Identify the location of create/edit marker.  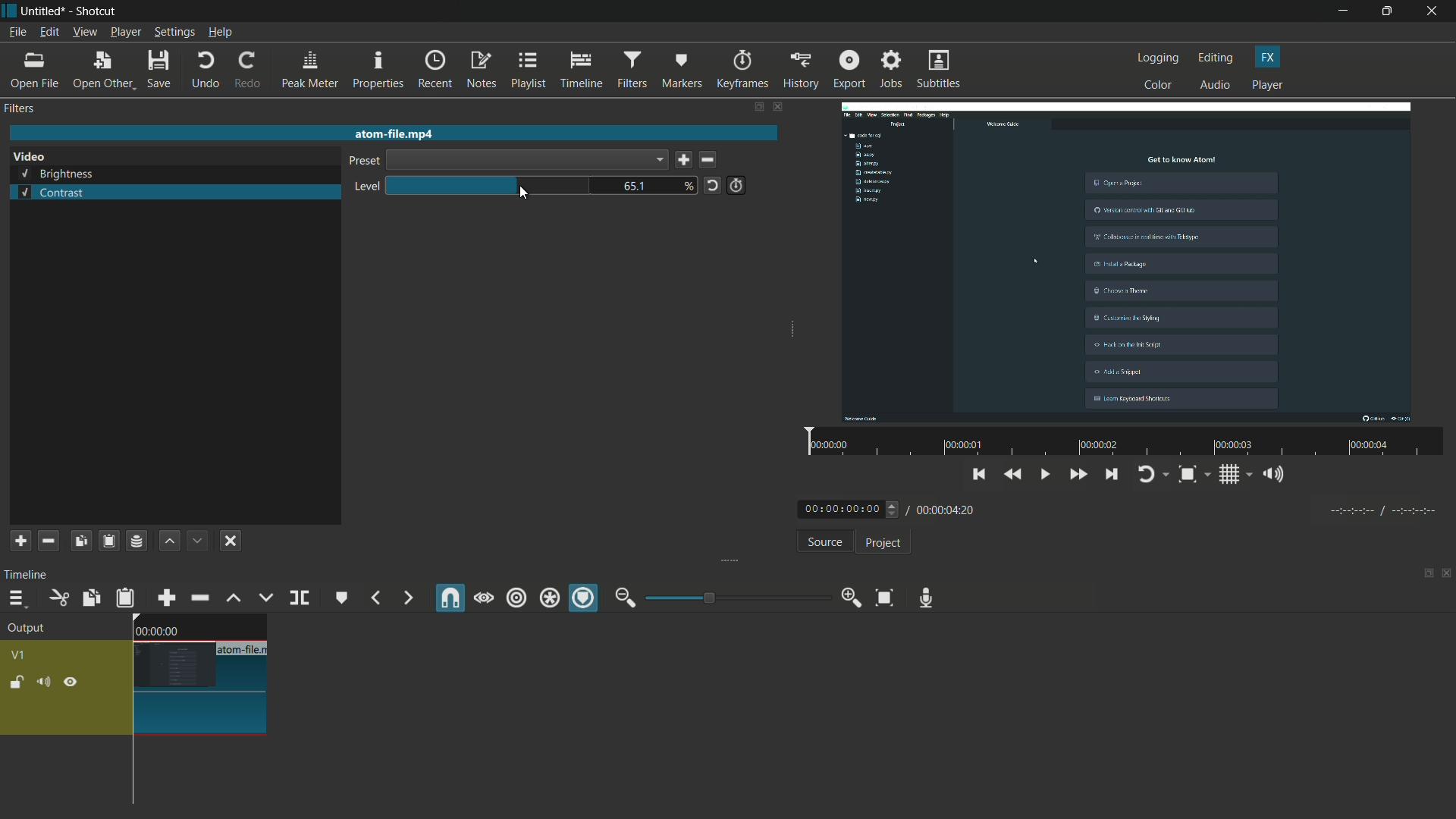
(342, 598).